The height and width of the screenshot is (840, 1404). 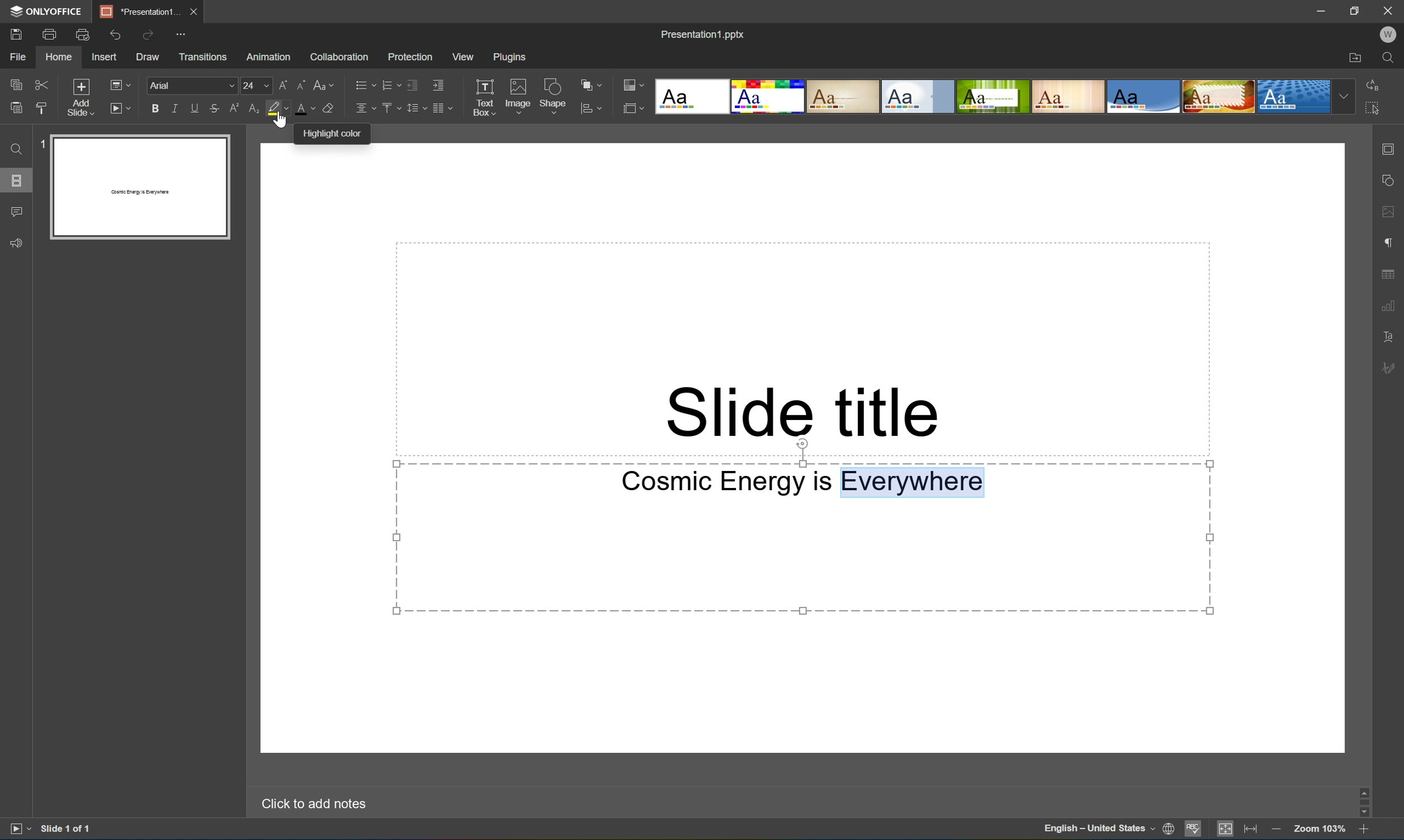 I want to click on Insert columns, so click(x=442, y=108).